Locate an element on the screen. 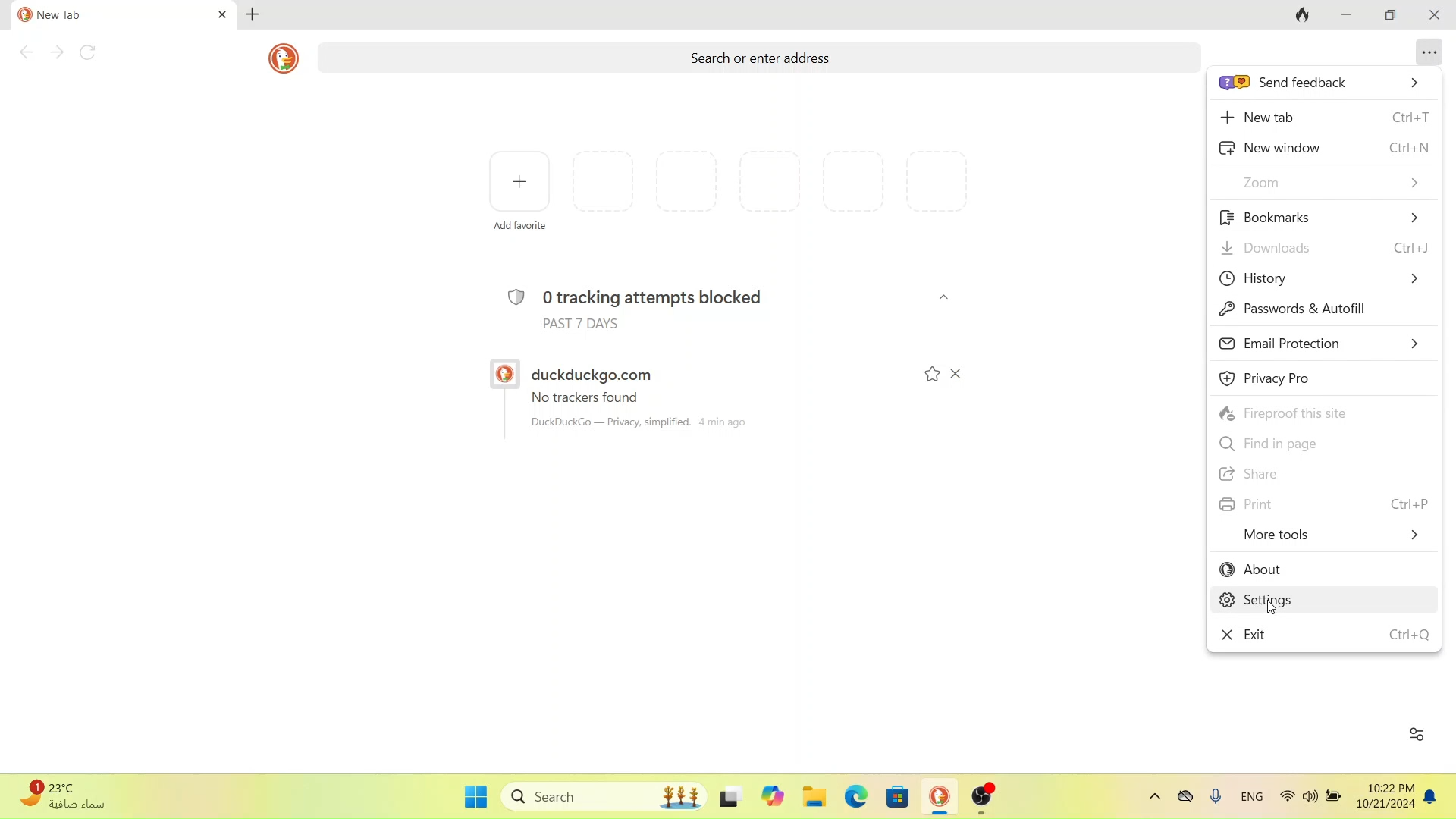 This screenshot has height=819, width=1456. close is located at coordinates (946, 297).